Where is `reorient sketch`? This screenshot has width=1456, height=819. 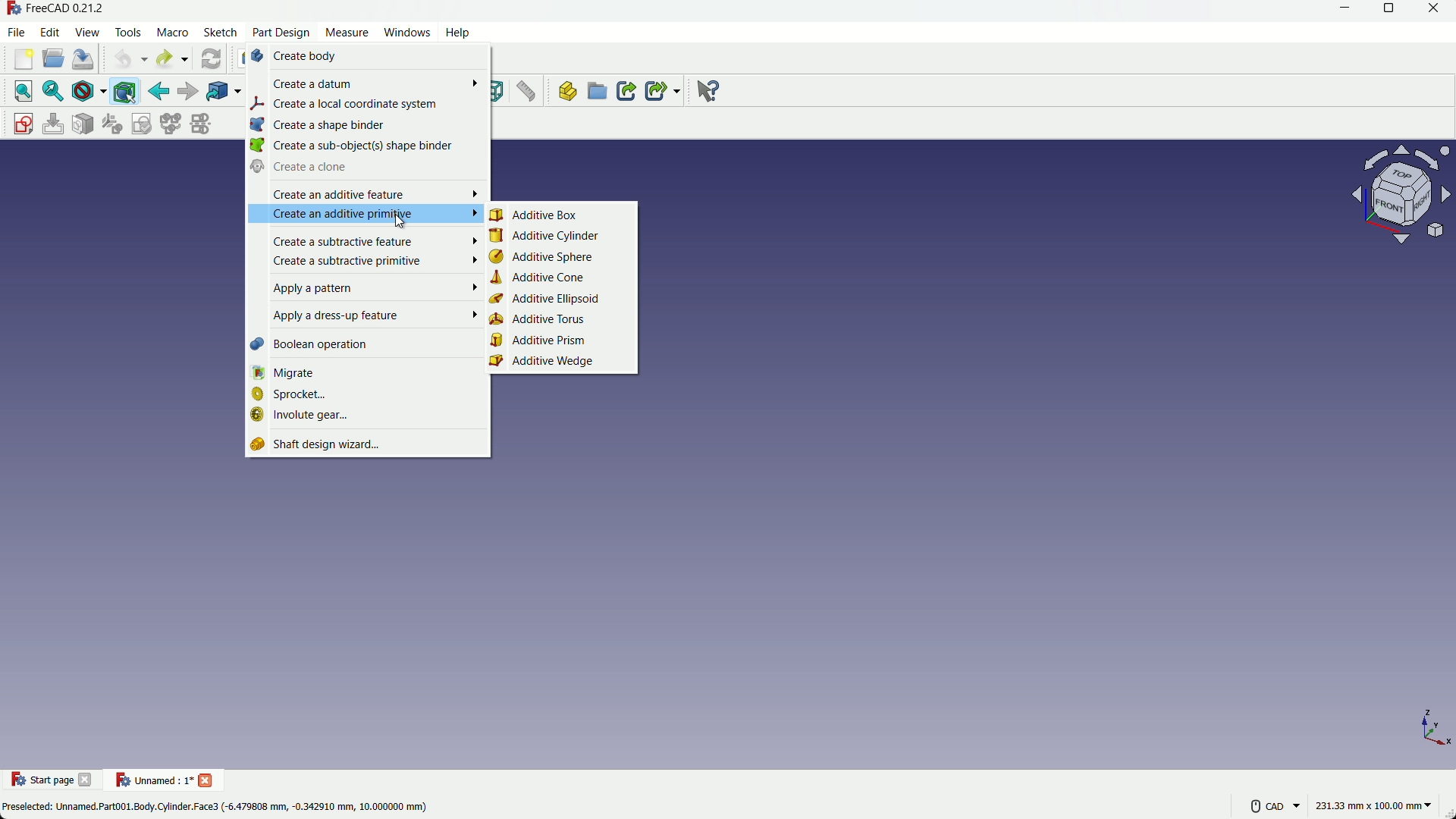
reorient sketch is located at coordinates (111, 124).